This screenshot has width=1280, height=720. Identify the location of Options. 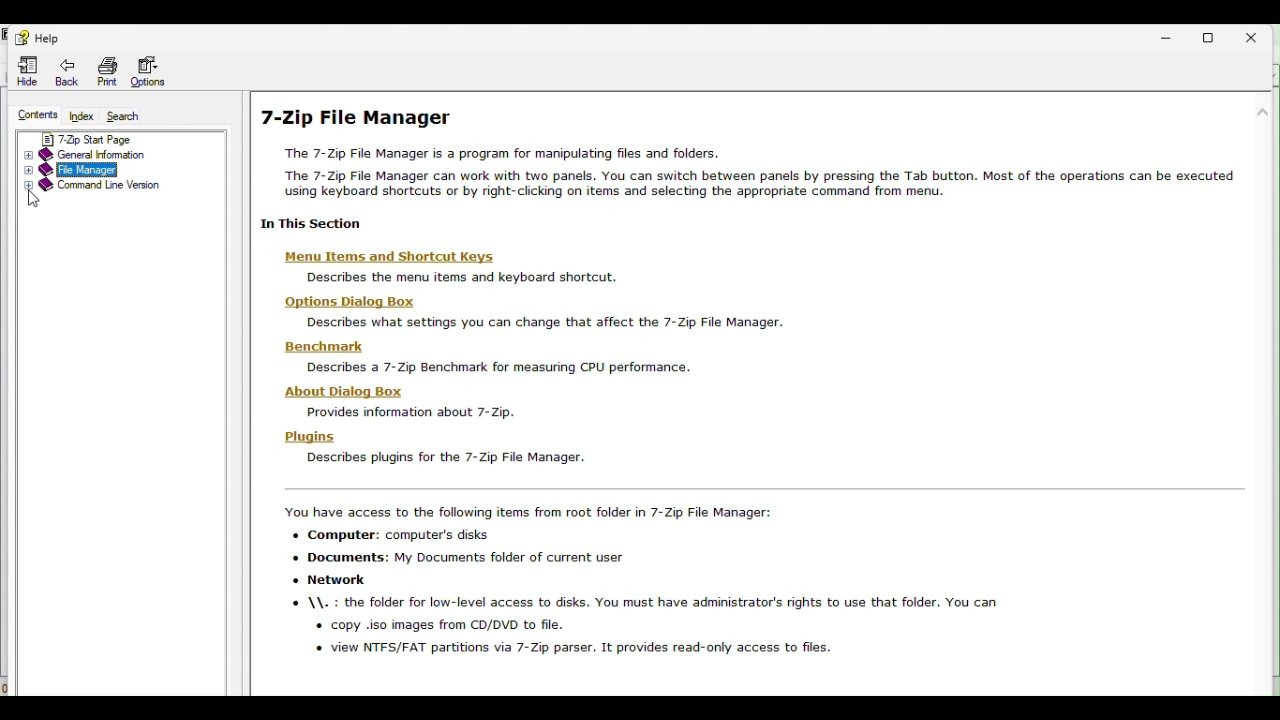
(156, 74).